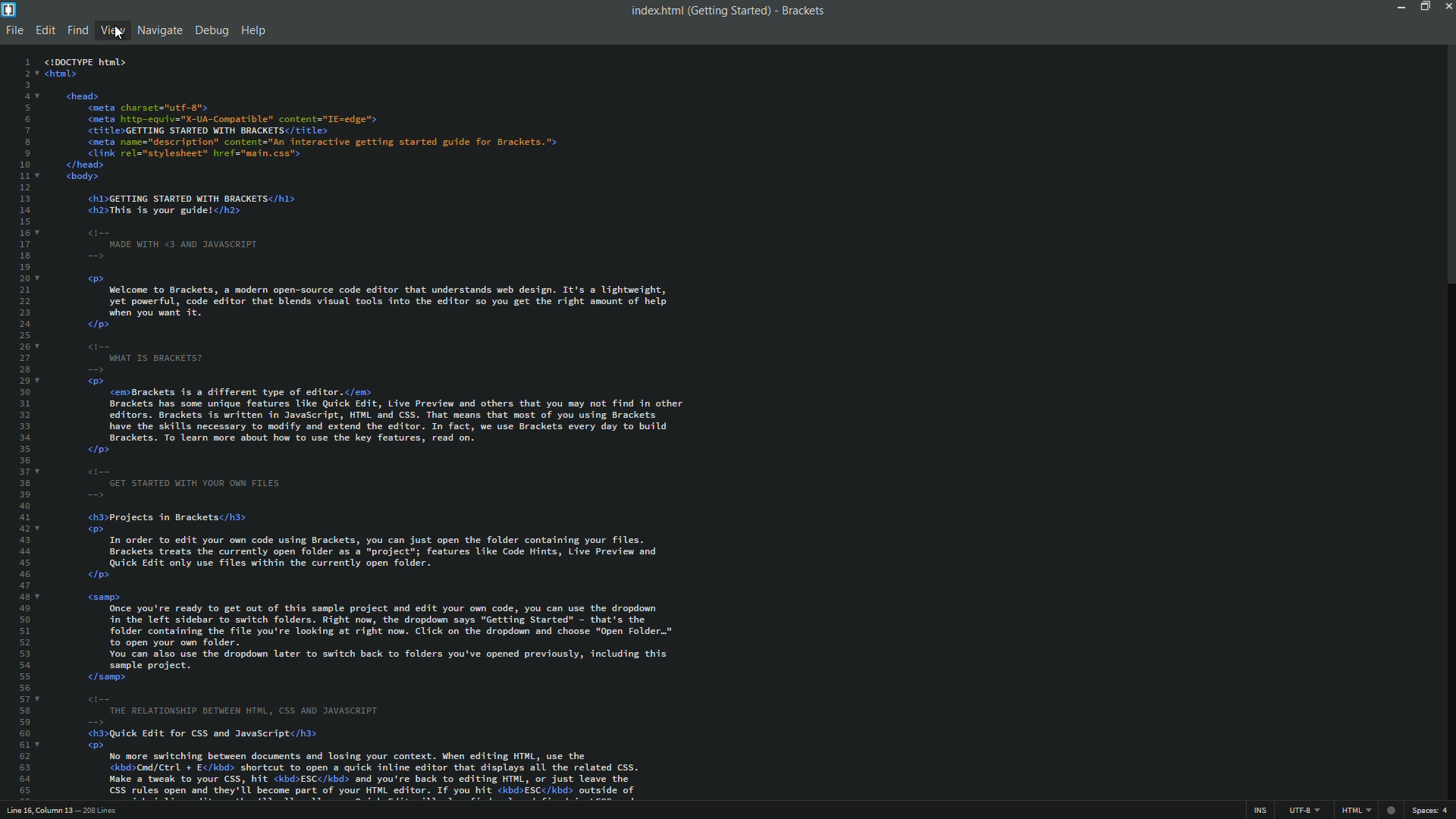 This screenshot has height=819, width=1456. I want to click on app icon, so click(9, 8).